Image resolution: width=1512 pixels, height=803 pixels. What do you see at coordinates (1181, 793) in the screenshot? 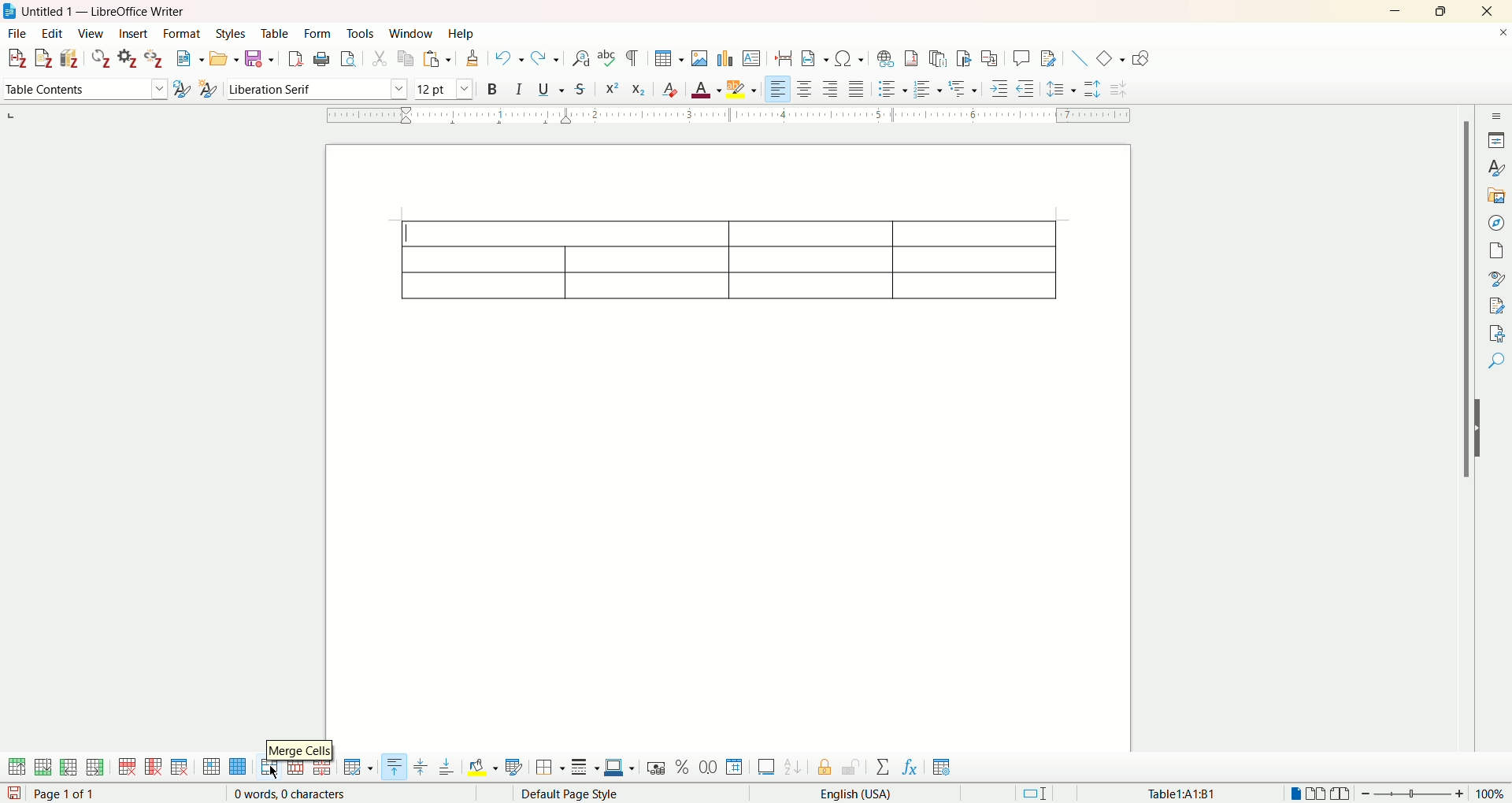
I see `Table1:A1:B1` at bounding box center [1181, 793].